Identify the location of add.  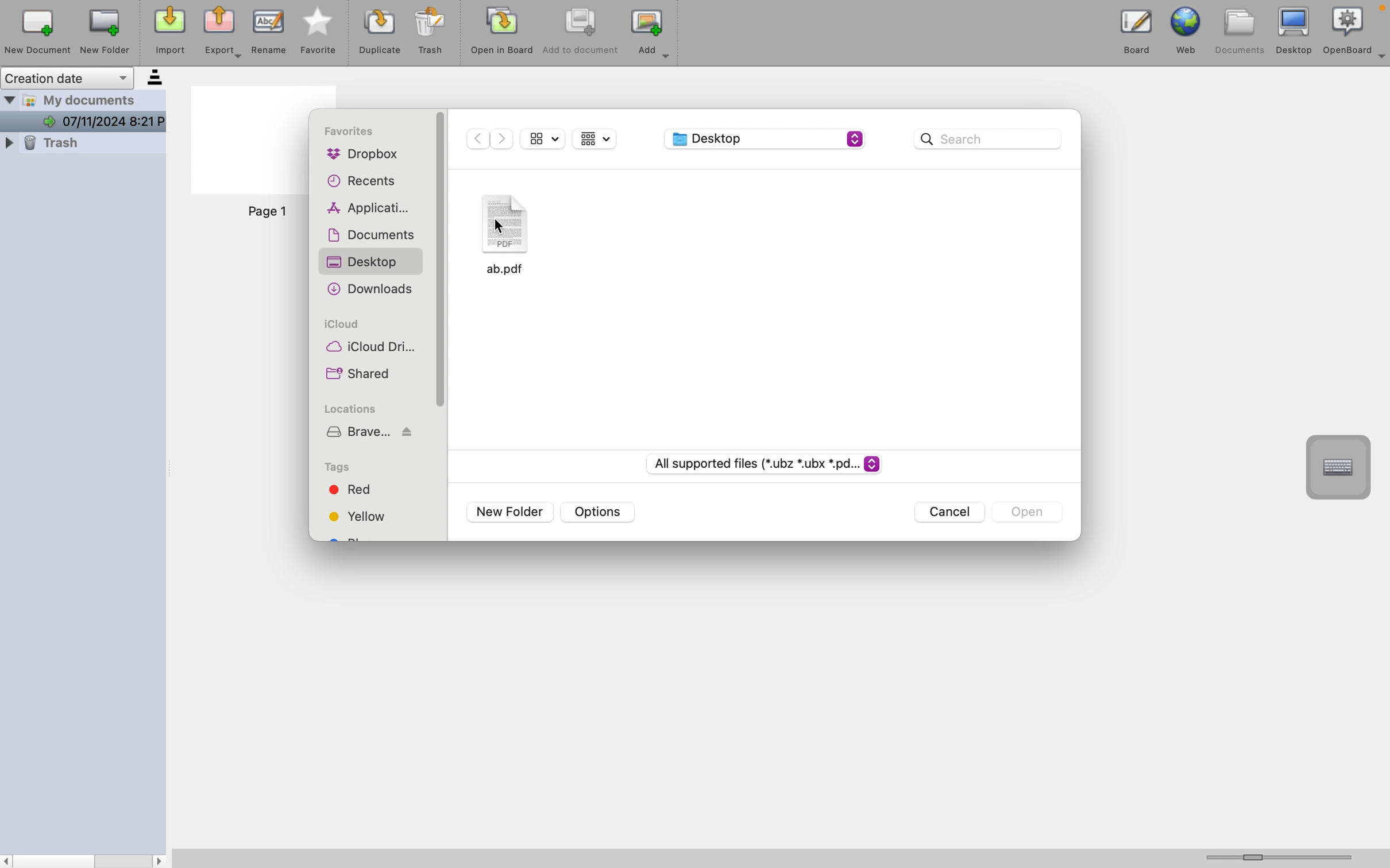
(652, 36).